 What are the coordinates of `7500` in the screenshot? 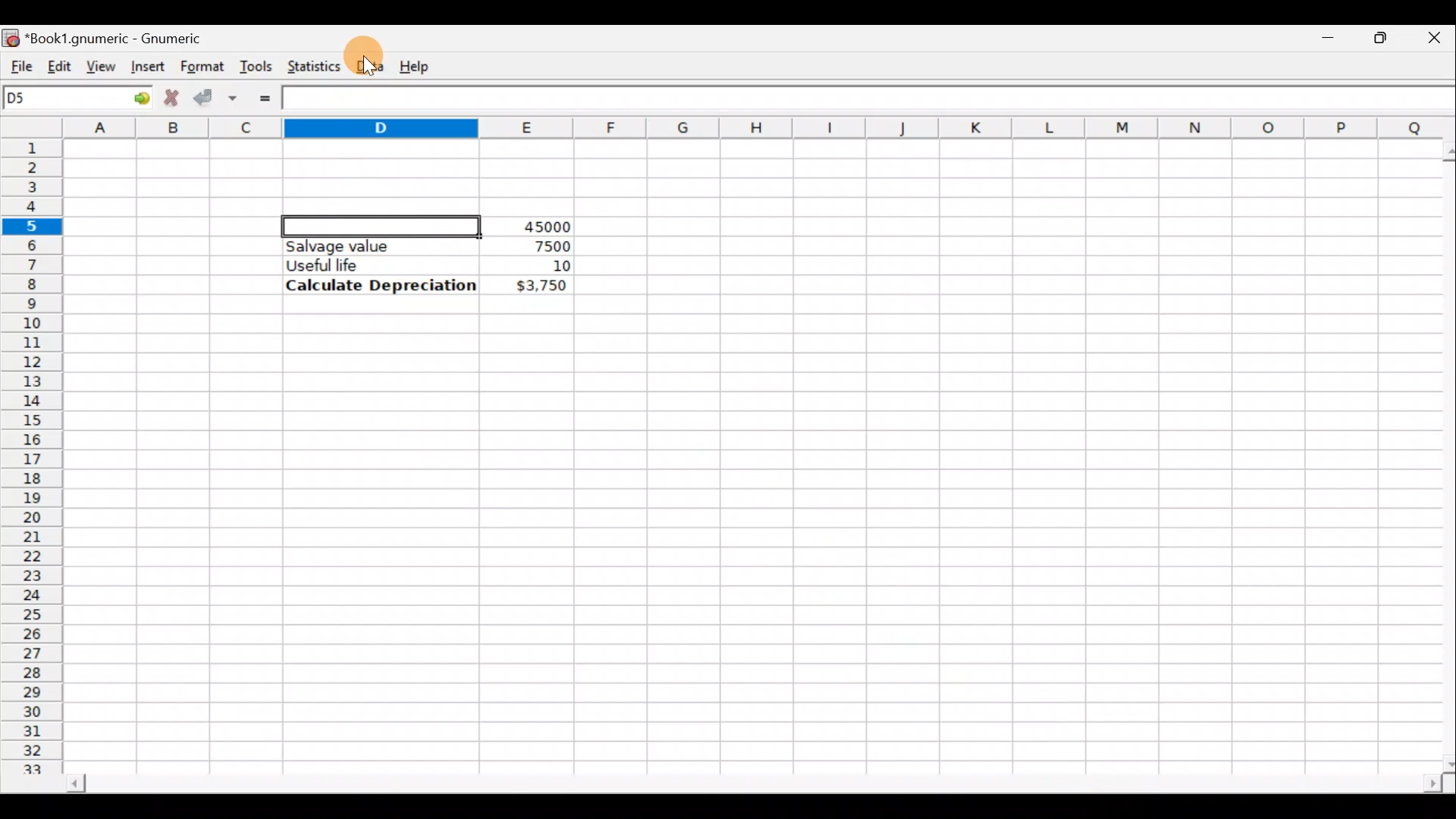 It's located at (528, 245).